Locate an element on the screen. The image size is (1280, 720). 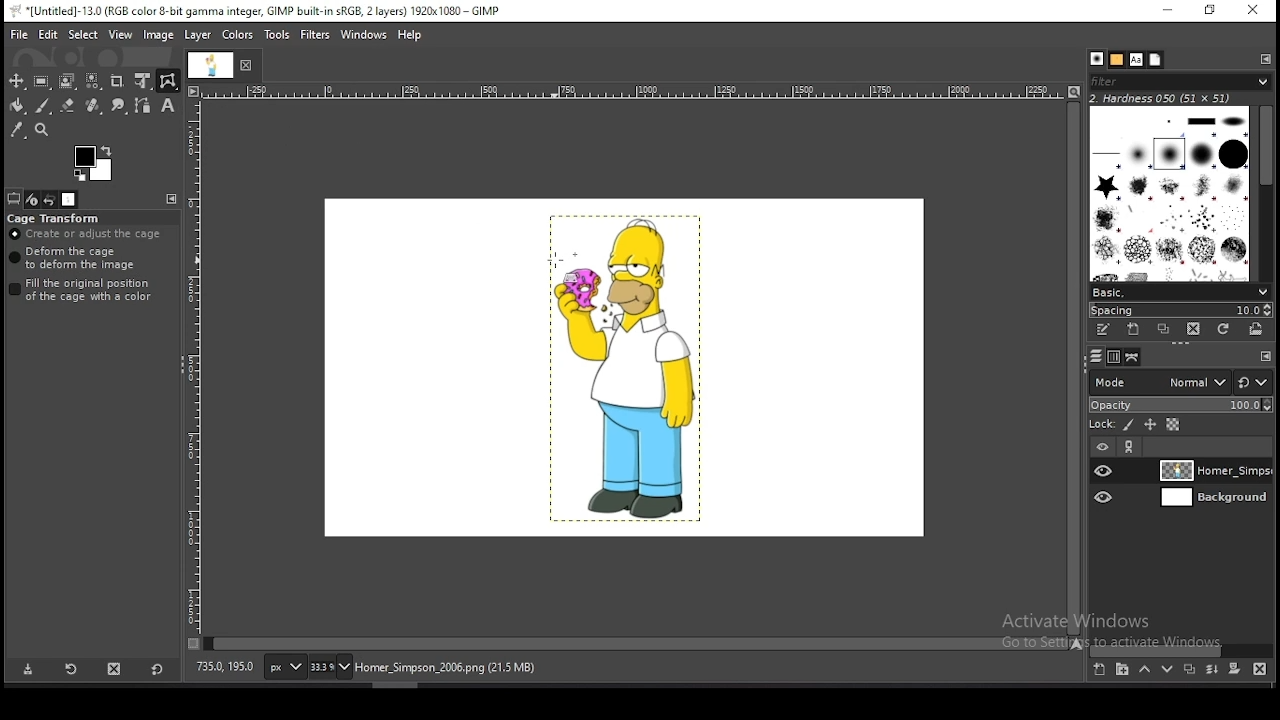
paths tool is located at coordinates (142, 105).